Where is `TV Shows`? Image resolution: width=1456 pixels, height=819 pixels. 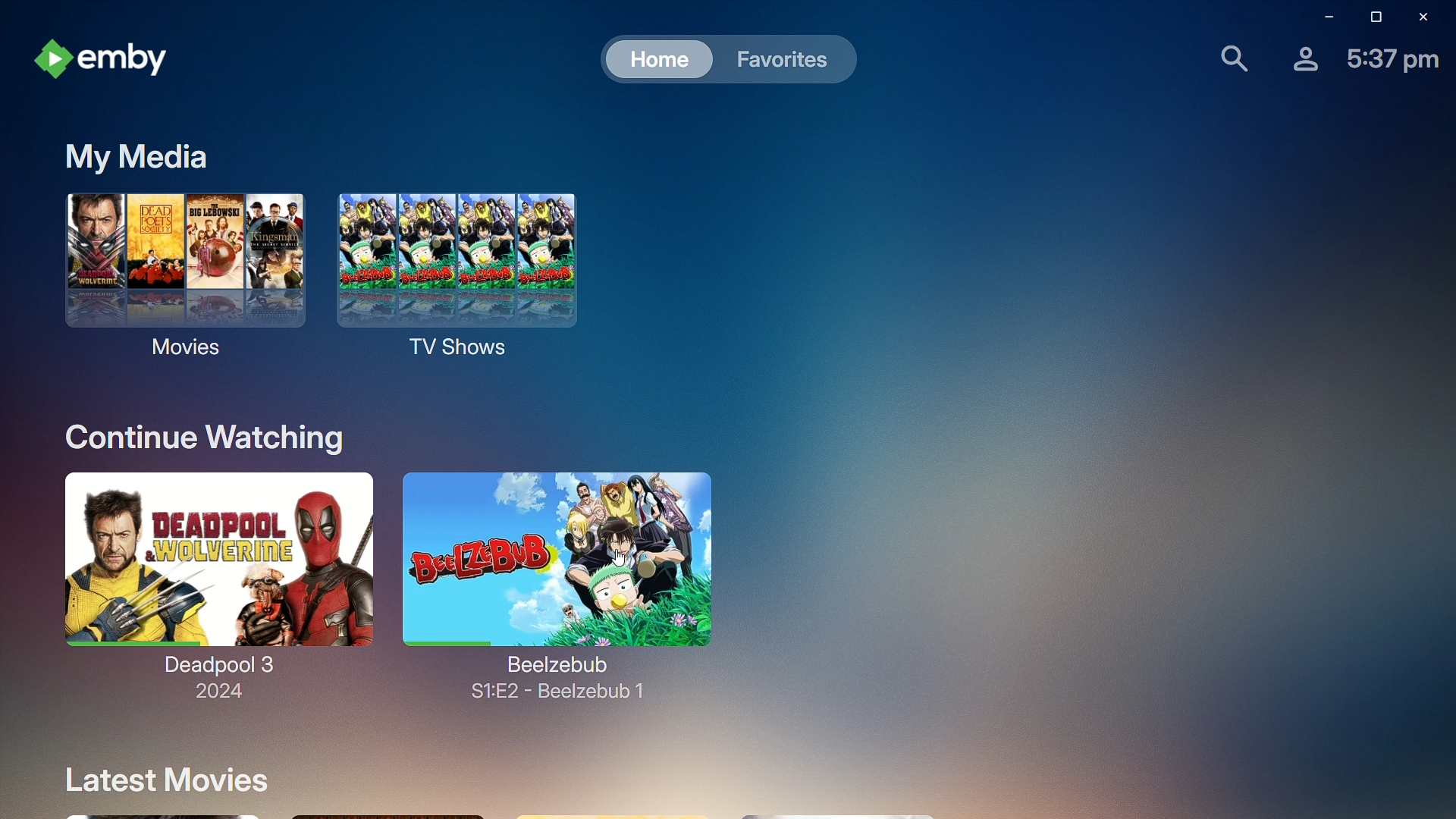 TV Shows is located at coordinates (462, 274).